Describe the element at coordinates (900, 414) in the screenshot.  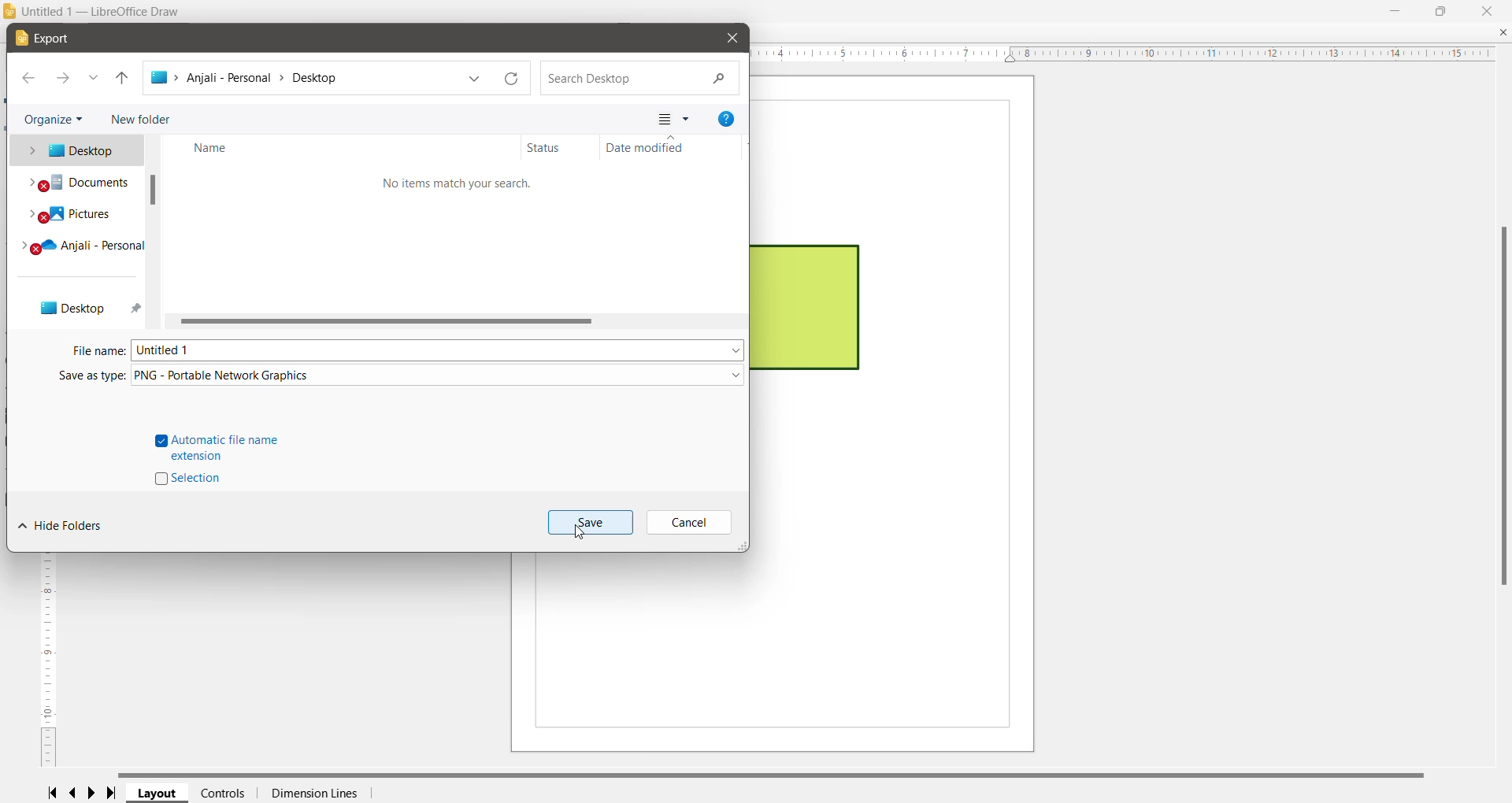
I see `Current Page` at that location.